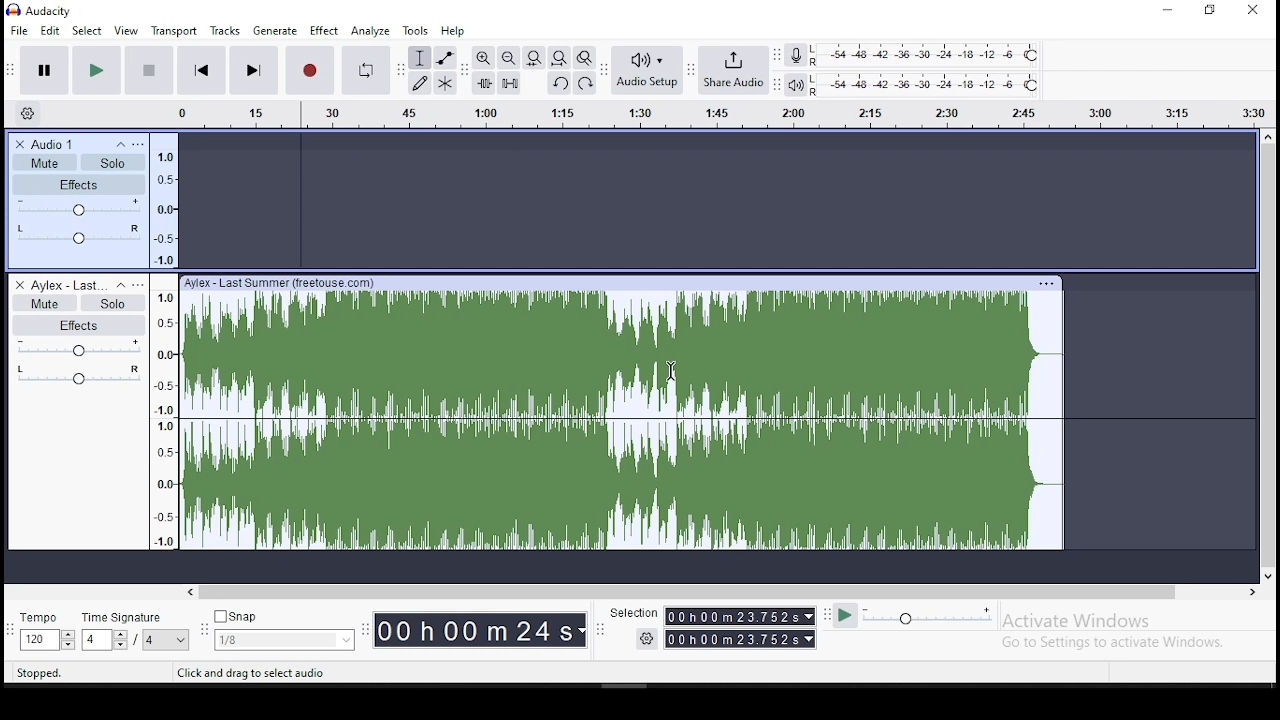  Describe the element at coordinates (126, 32) in the screenshot. I see `view` at that location.